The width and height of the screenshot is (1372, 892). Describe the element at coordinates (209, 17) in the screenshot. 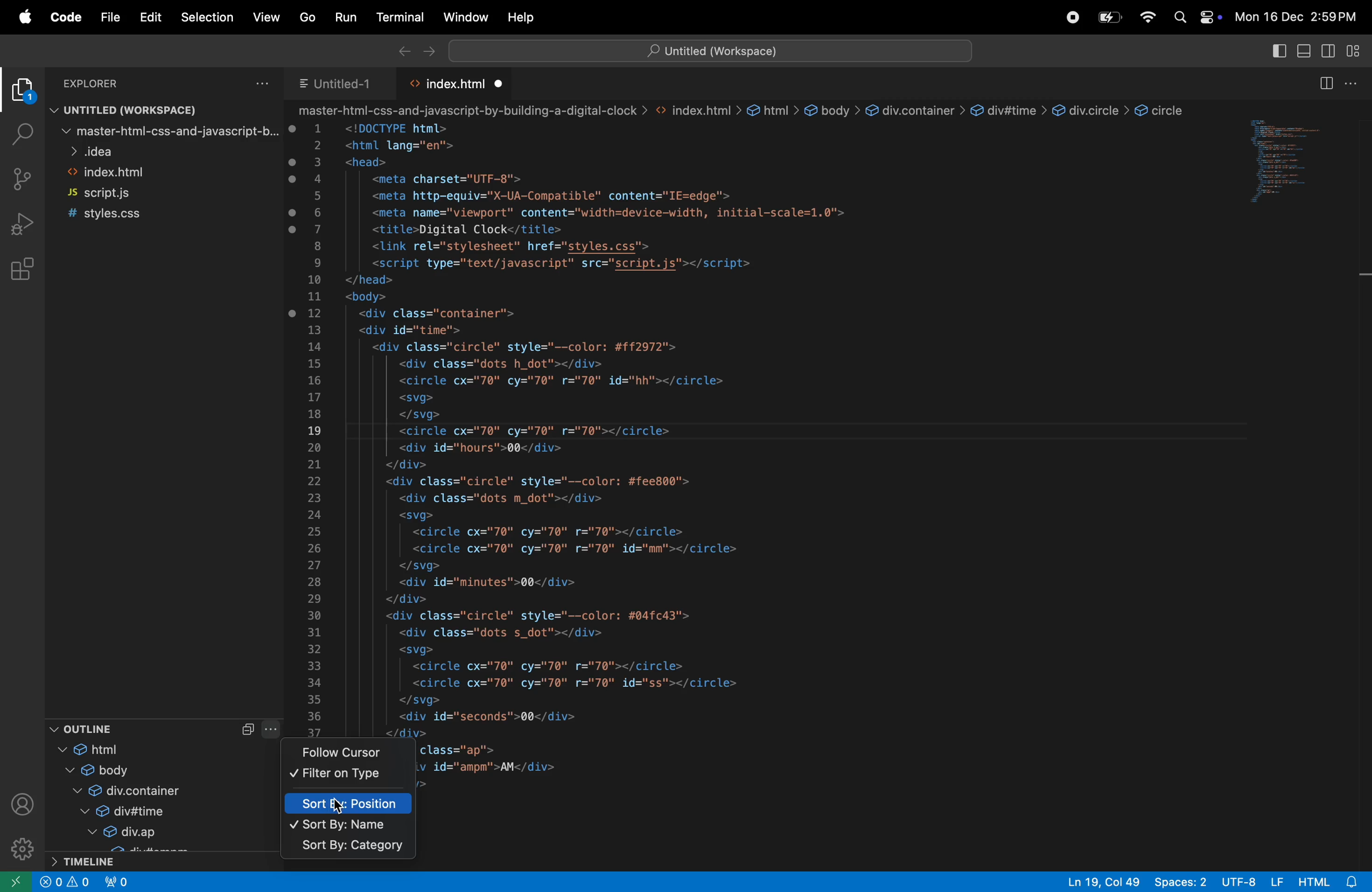

I see `selection` at that location.